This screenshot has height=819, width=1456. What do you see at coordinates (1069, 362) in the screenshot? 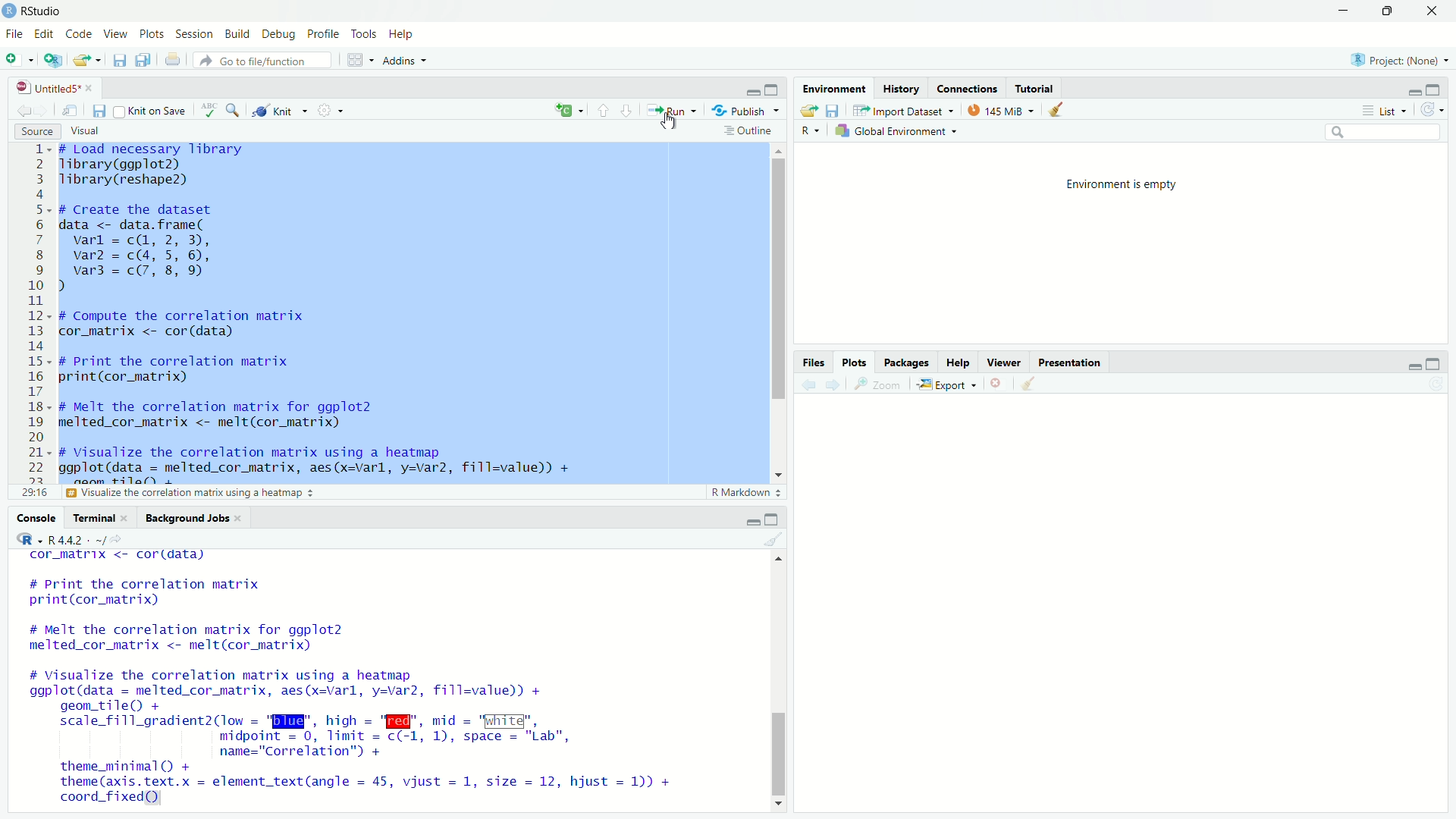
I see `presentation` at bounding box center [1069, 362].